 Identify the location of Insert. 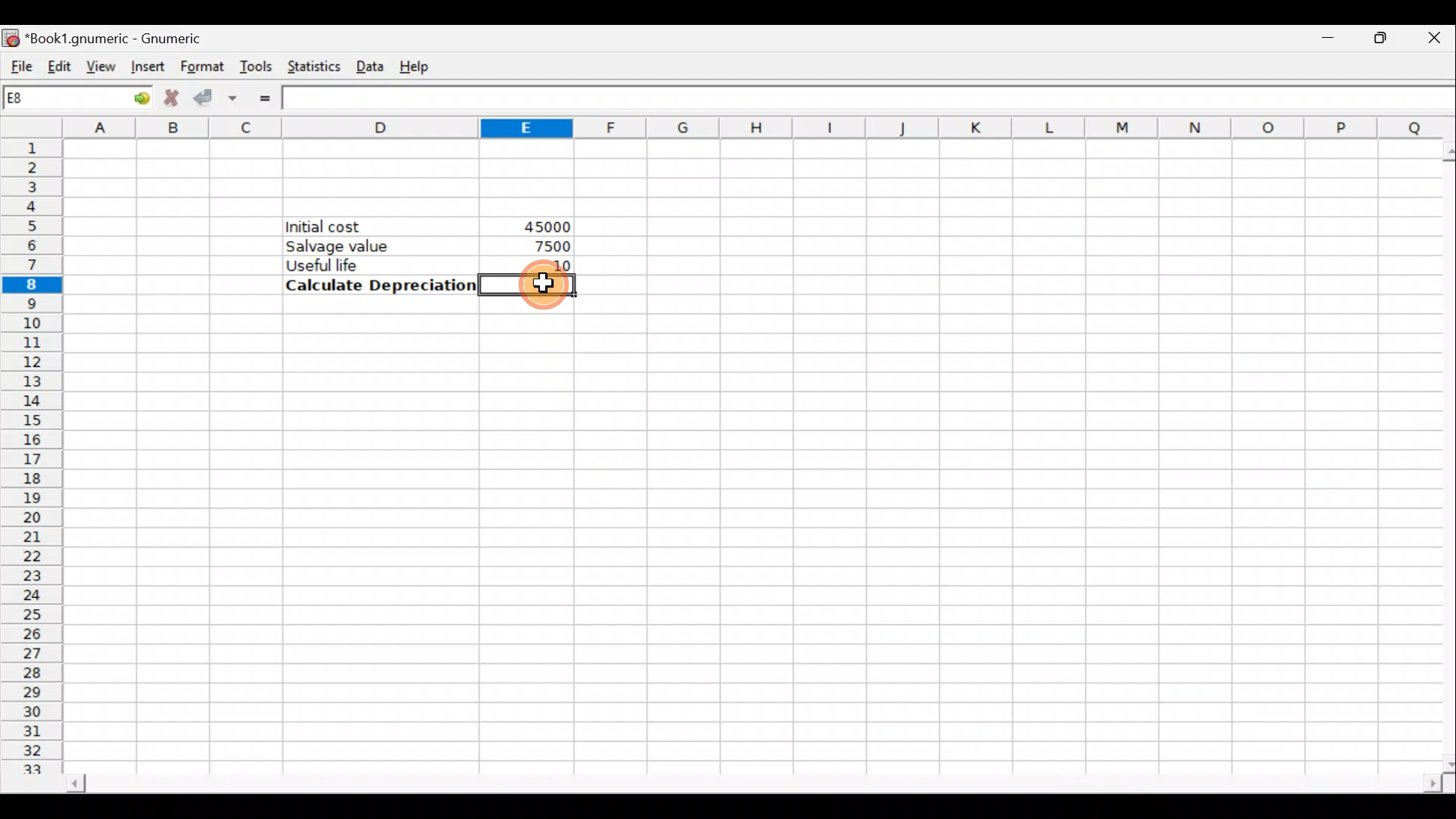
(146, 67).